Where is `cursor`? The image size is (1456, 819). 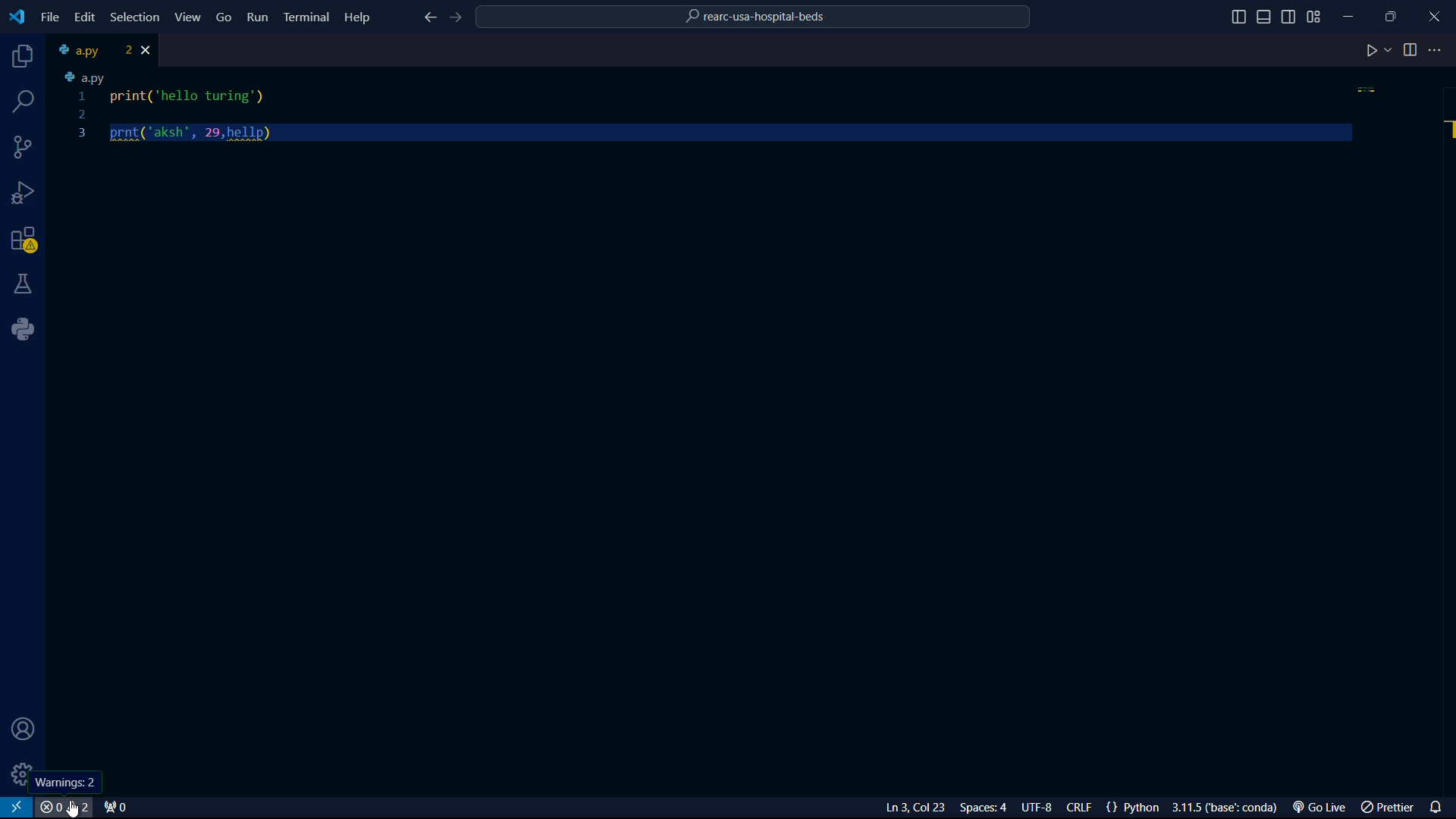 cursor is located at coordinates (73, 810).